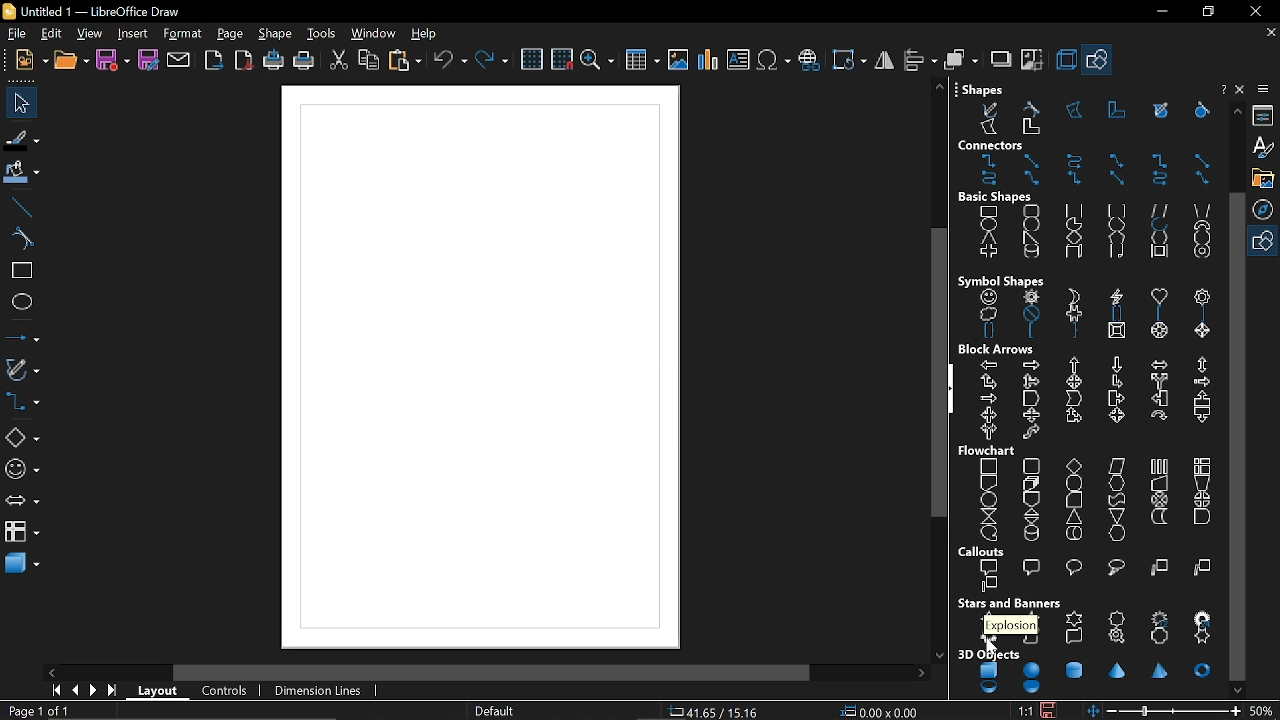 The height and width of the screenshot is (720, 1280). Describe the element at coordinates (96, 691) in the screenshot. I see `next page` at that location.